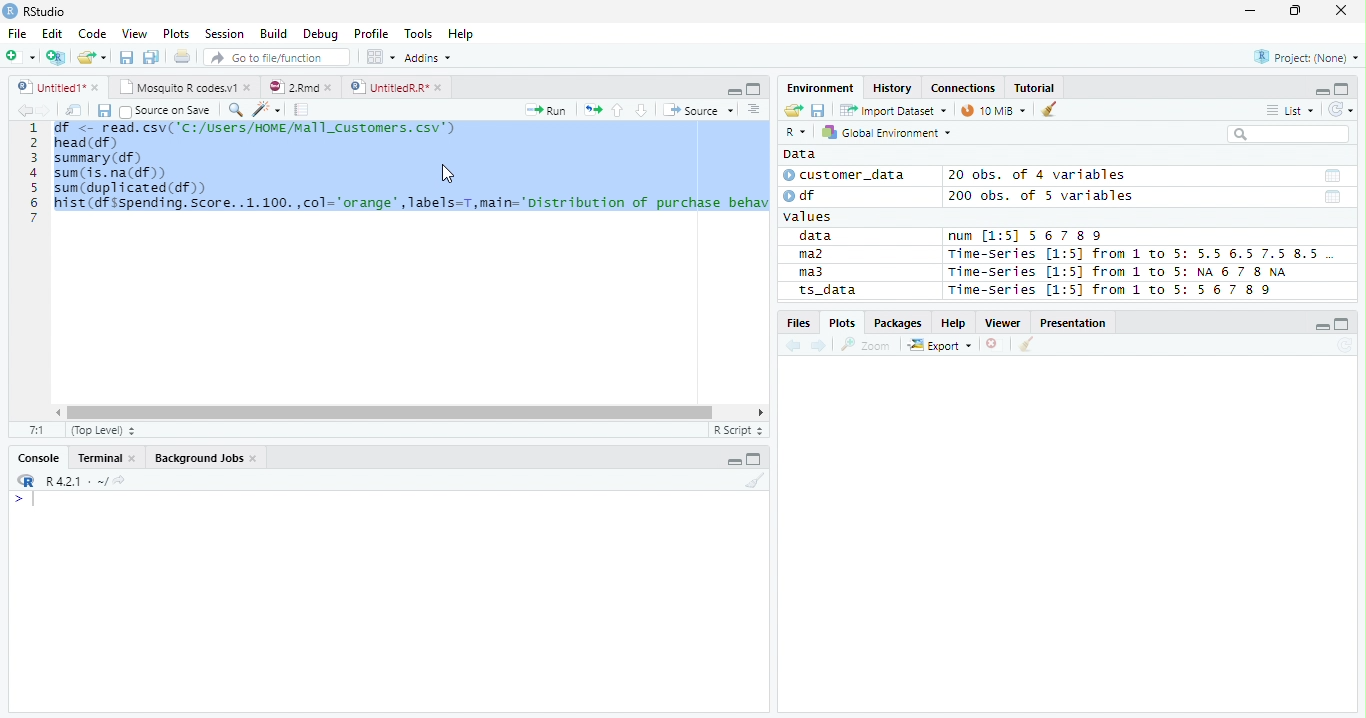 This screenshot has width=1366, height=718. What do you see at coordinates (166, 111) in the screenshot?
I see `Source on save` at bounding box center [166, 111].